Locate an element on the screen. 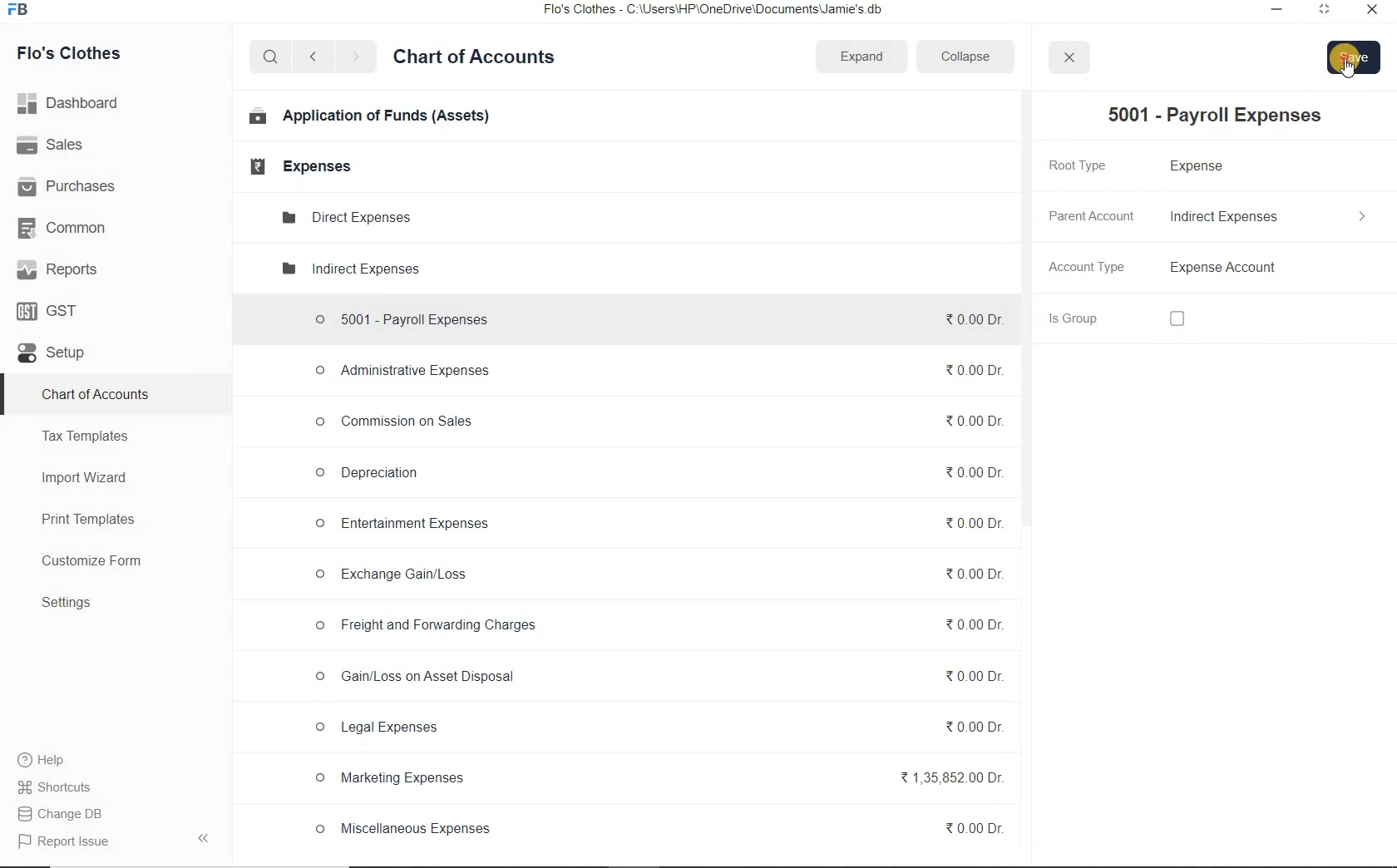 This screenshot has width=1397, height=868. hide is located at coordinates (204, 838).